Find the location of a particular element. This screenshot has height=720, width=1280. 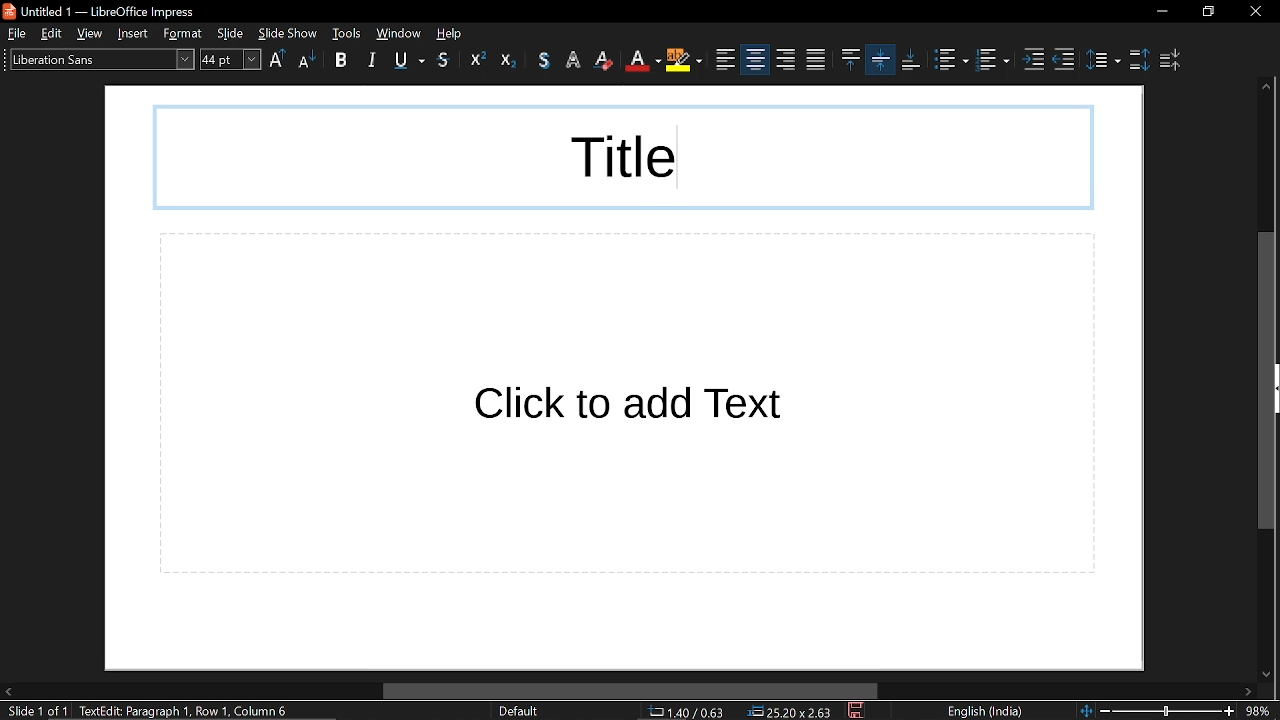

move down is located at coordinates (1262, 671).